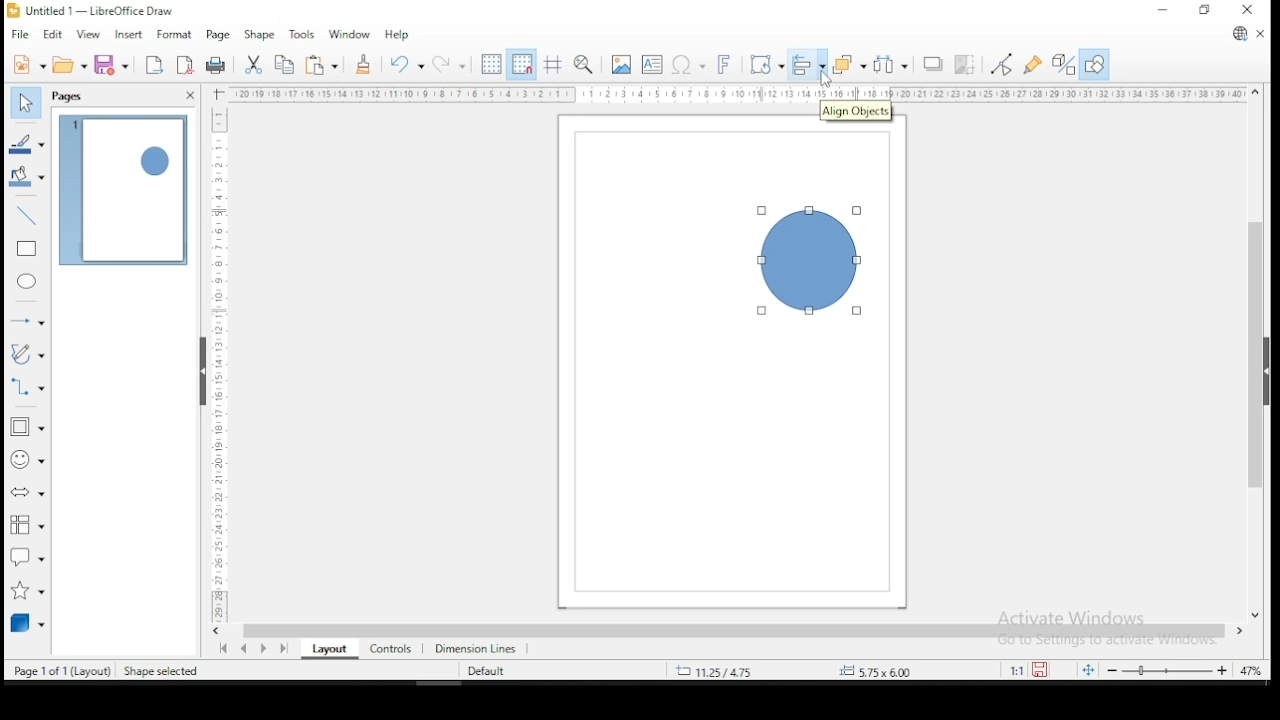 The height and width of the screenshot is (720, 1280). Describe the element at coordinates (738, 94) in the screenshot. I see `horizontal scale` at that location.